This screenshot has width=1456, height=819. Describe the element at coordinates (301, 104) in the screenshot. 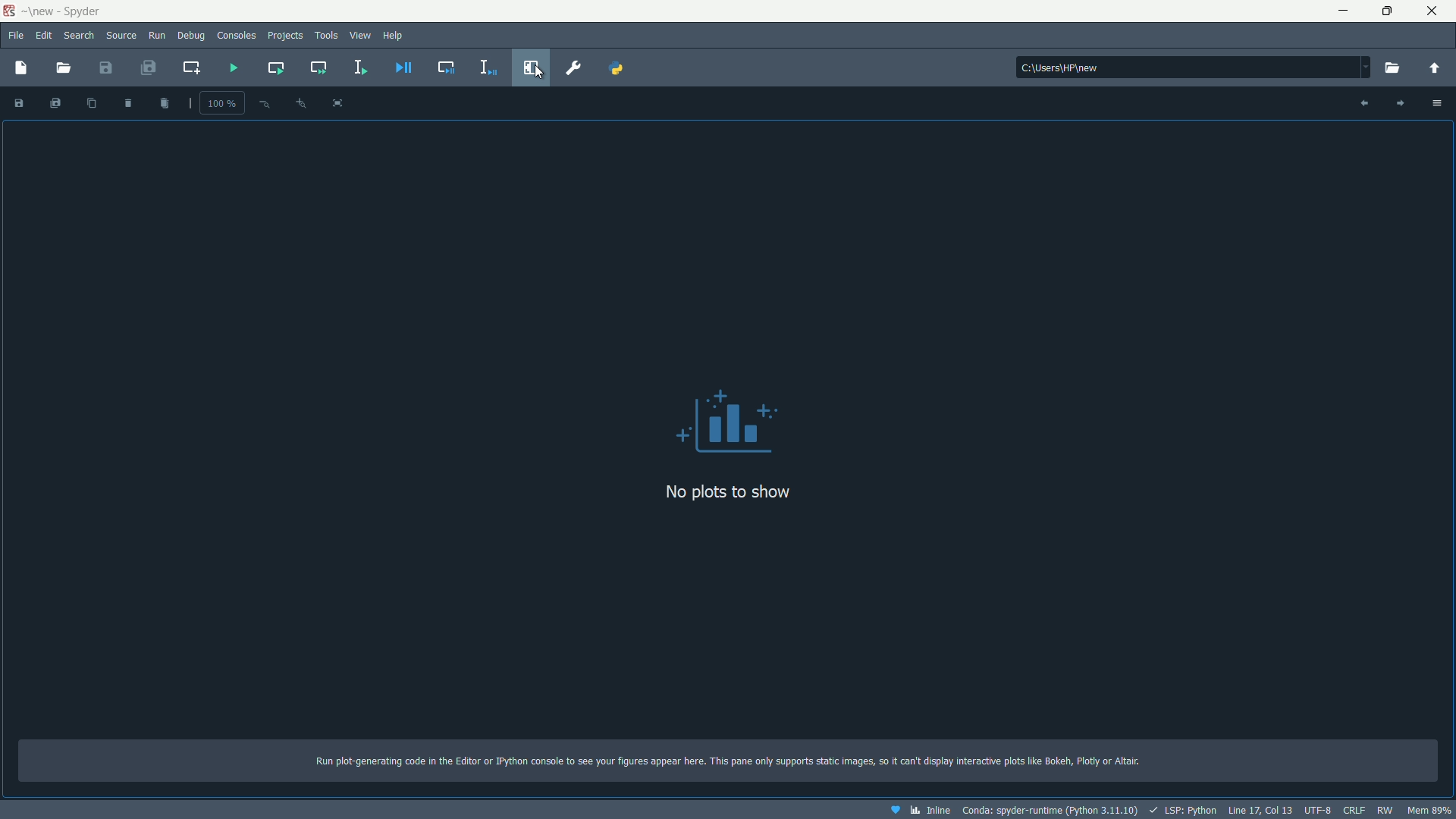

I see `zoom in` at that location.